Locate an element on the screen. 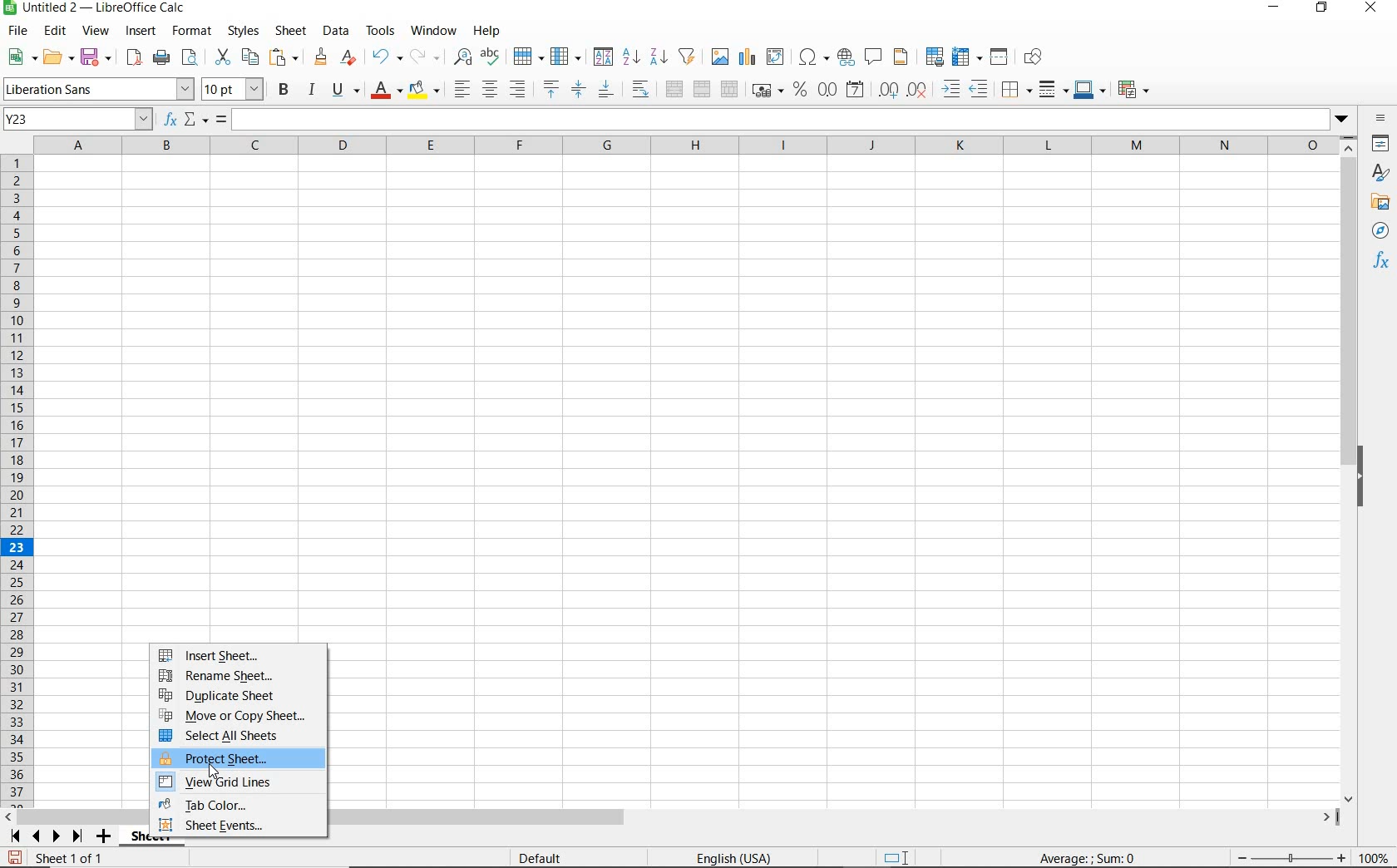 This screenshot has height=868, width=1397. DUPLICATE SHEET is located at coordinates (224, 695).